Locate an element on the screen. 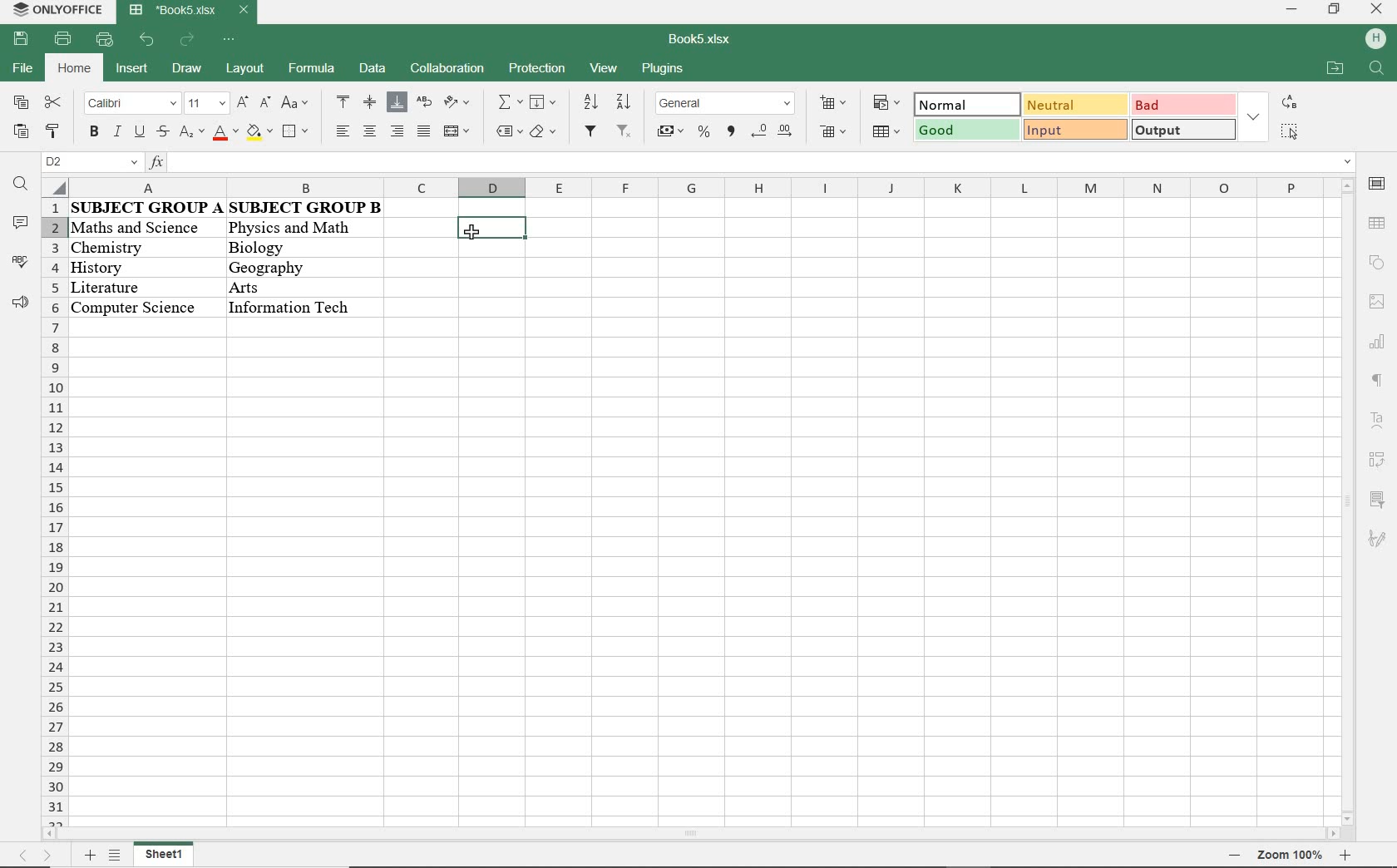 Image resolution: width=1397 pixels, height=868 pixels. copy is located at coordinates (21, 101).